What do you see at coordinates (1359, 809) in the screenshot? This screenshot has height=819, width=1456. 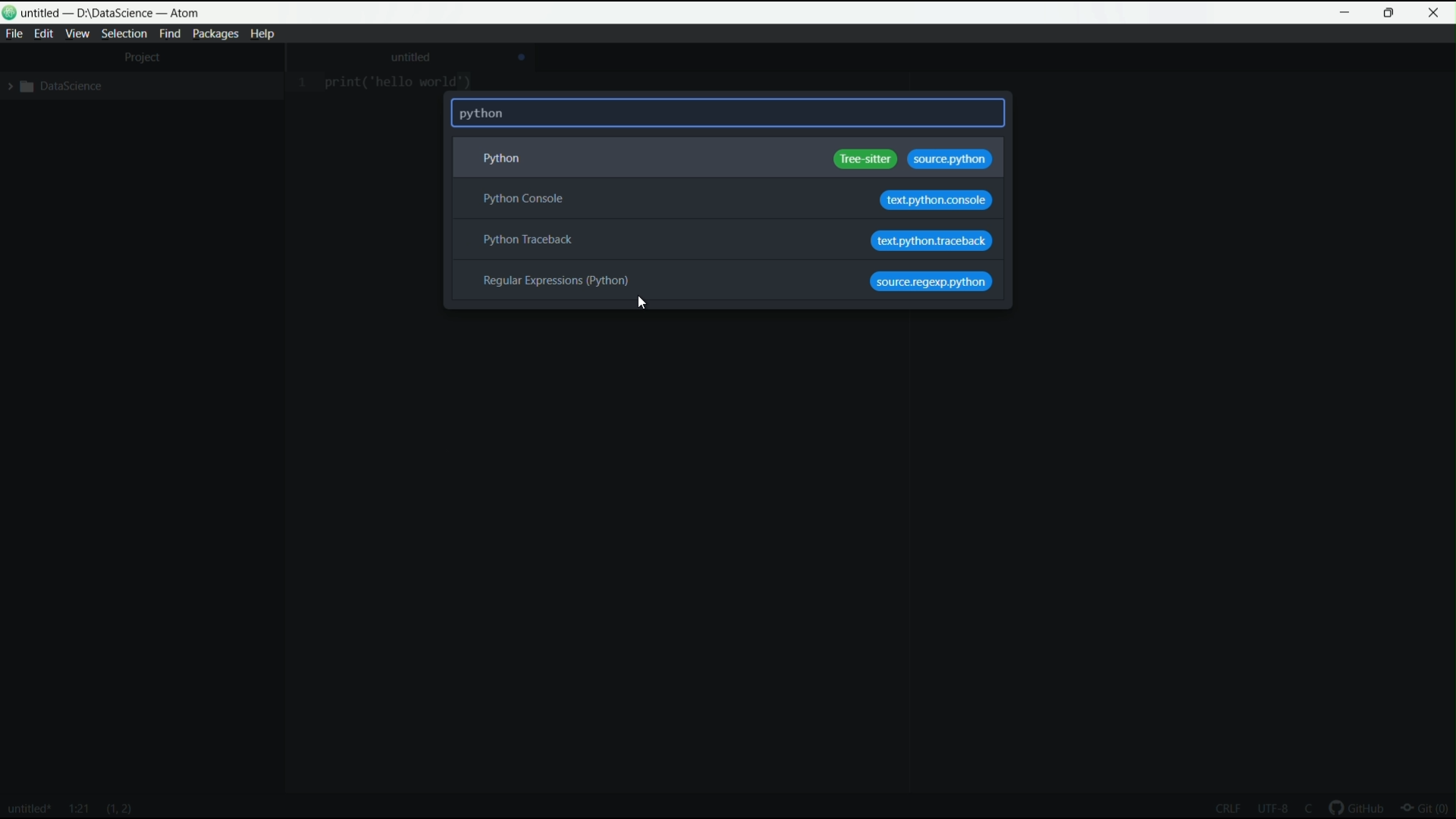 I see `github` at bounding box center [1359, 809].